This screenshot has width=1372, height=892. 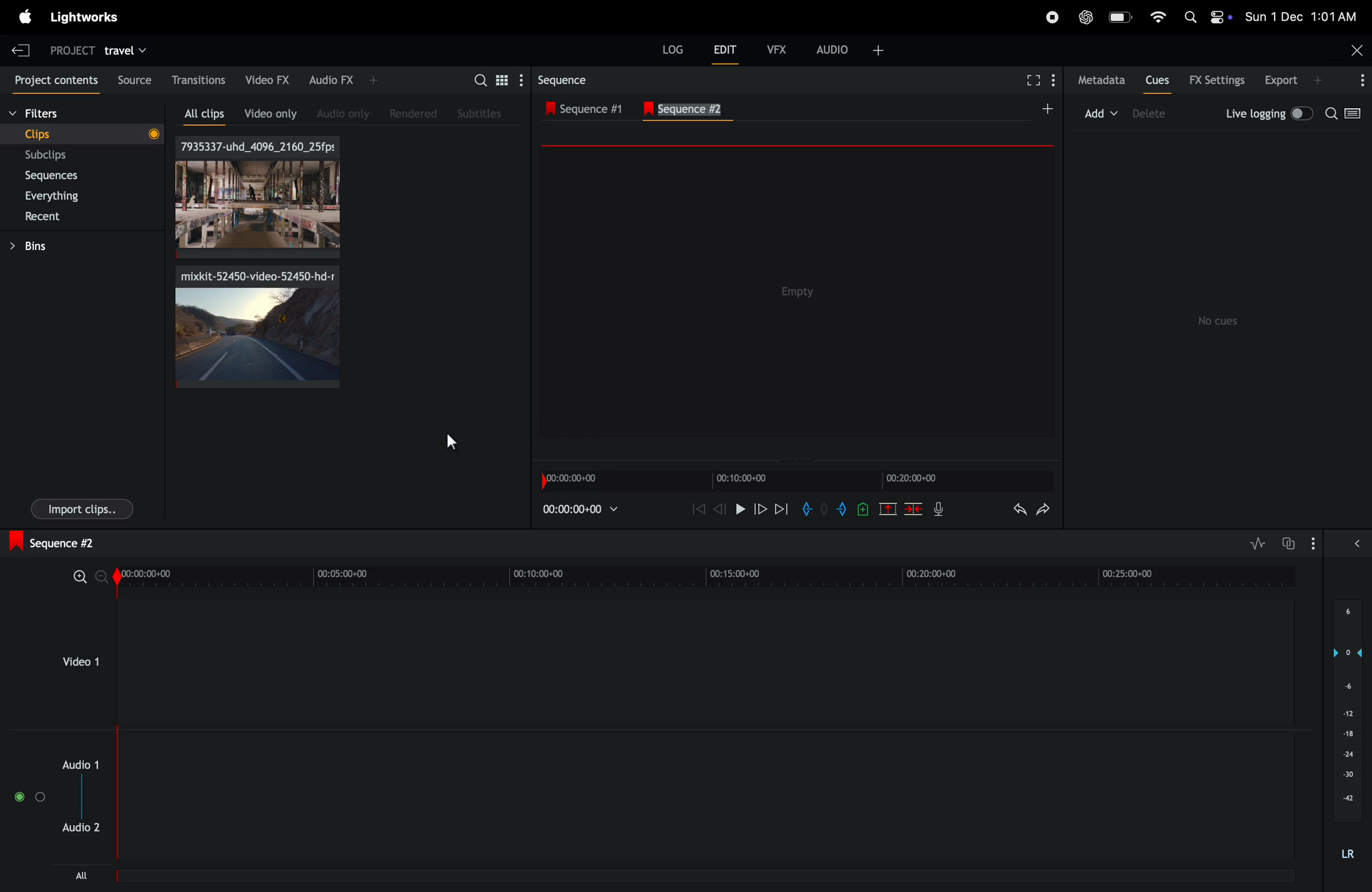 I want to click on output frame, so click(x=798, y=293).